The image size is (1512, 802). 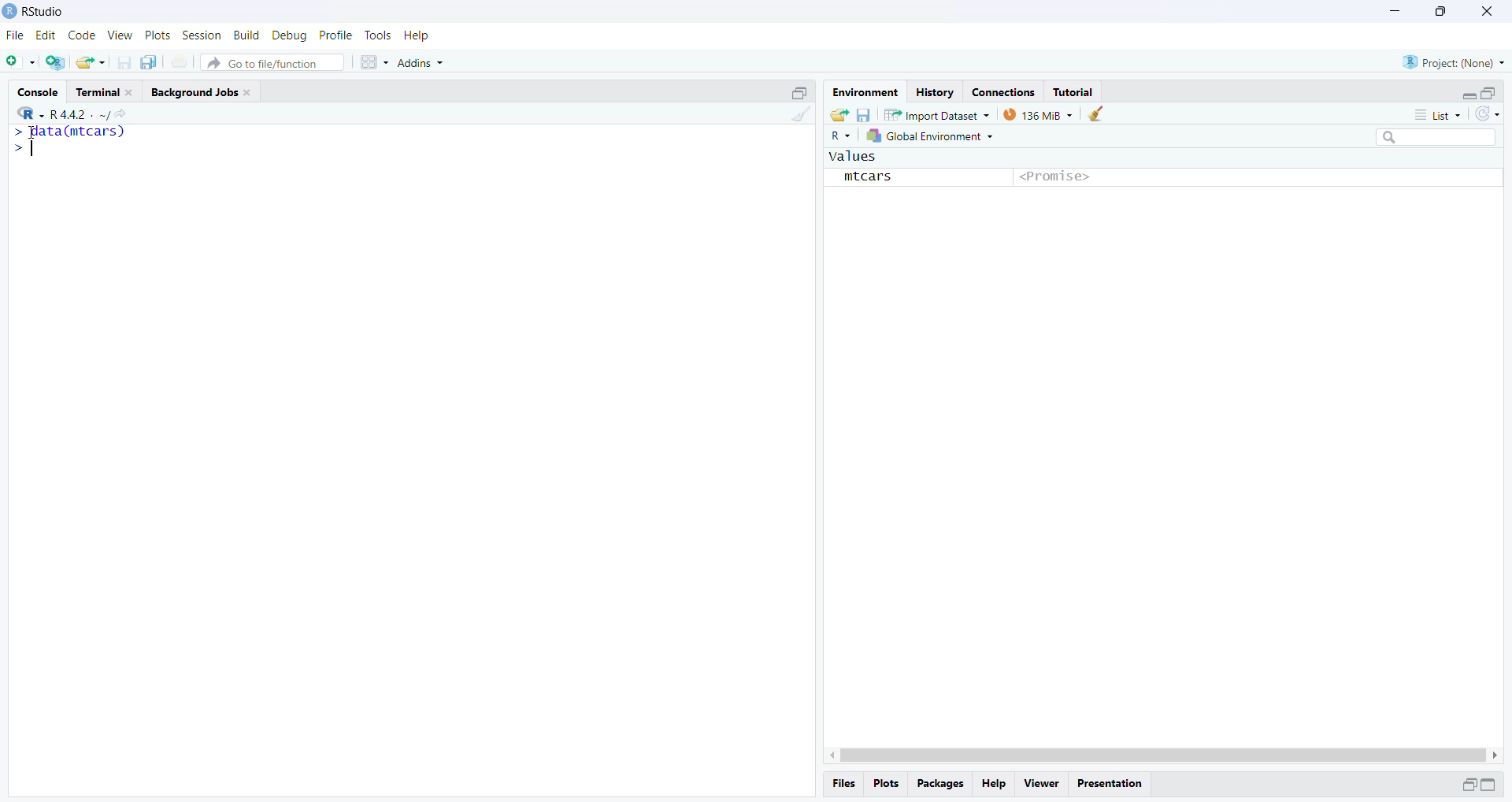 What do you see at coordinates (1076, 91) in the screenshot?
I see `Tutorial` at bounding box center [1076, 91].